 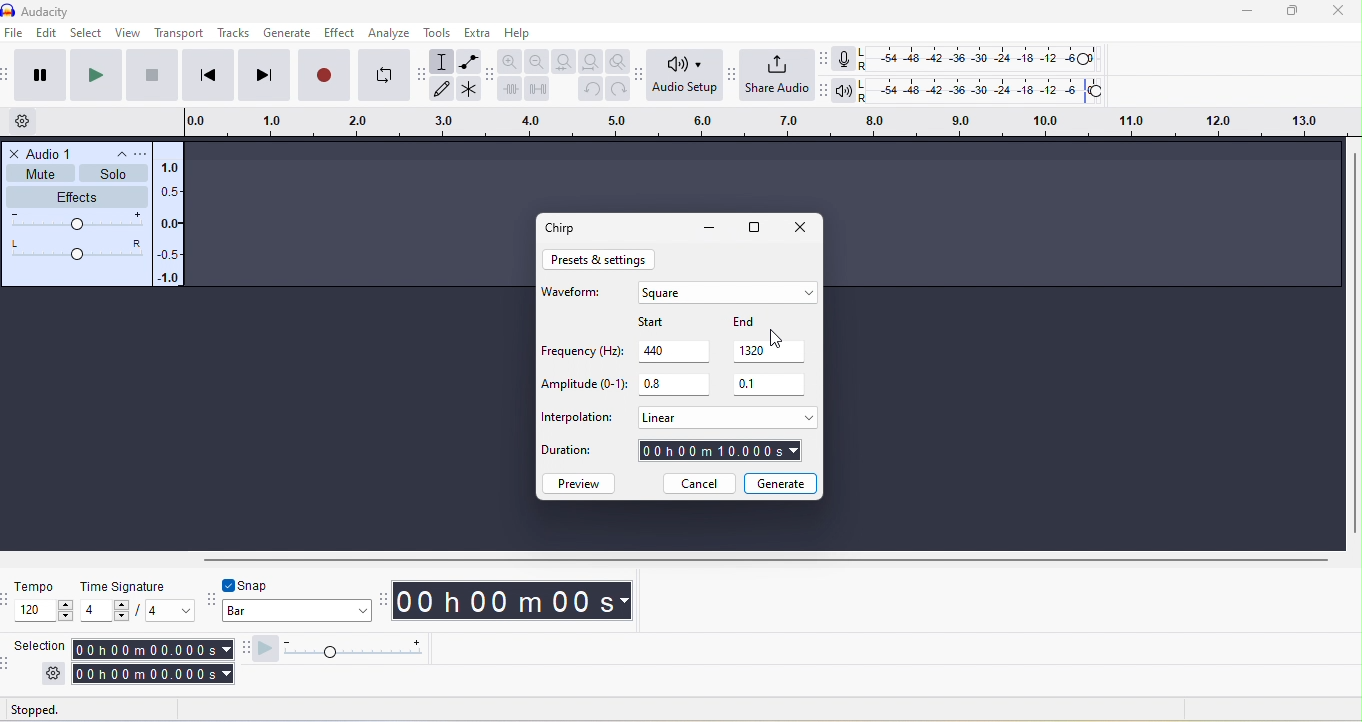 What do you see at coordinates (619, 89) in the screenshot?
I see `redo` at bounding box center [619, 89].